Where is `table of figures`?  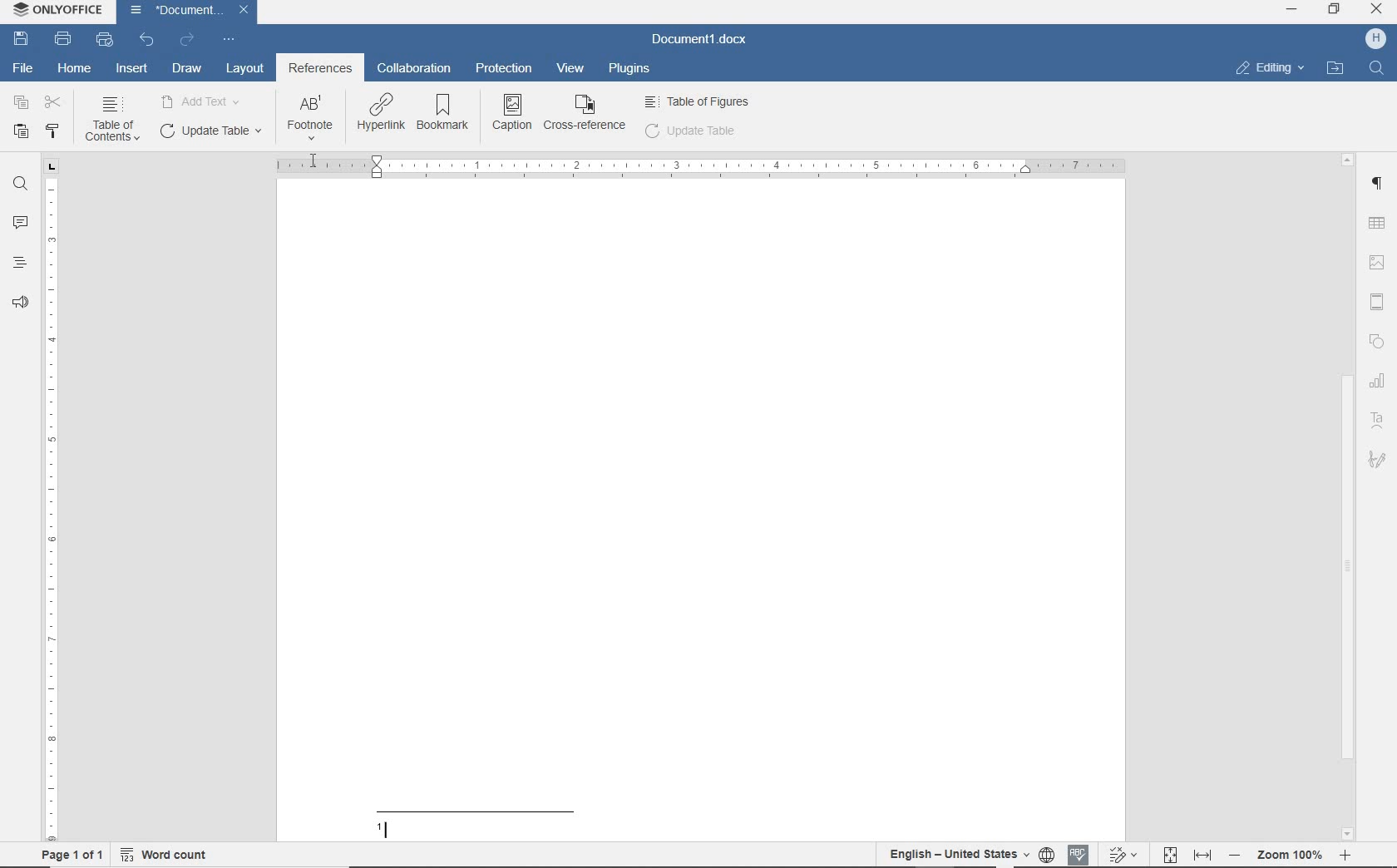
table of figures is located at coordinates (699, 101).